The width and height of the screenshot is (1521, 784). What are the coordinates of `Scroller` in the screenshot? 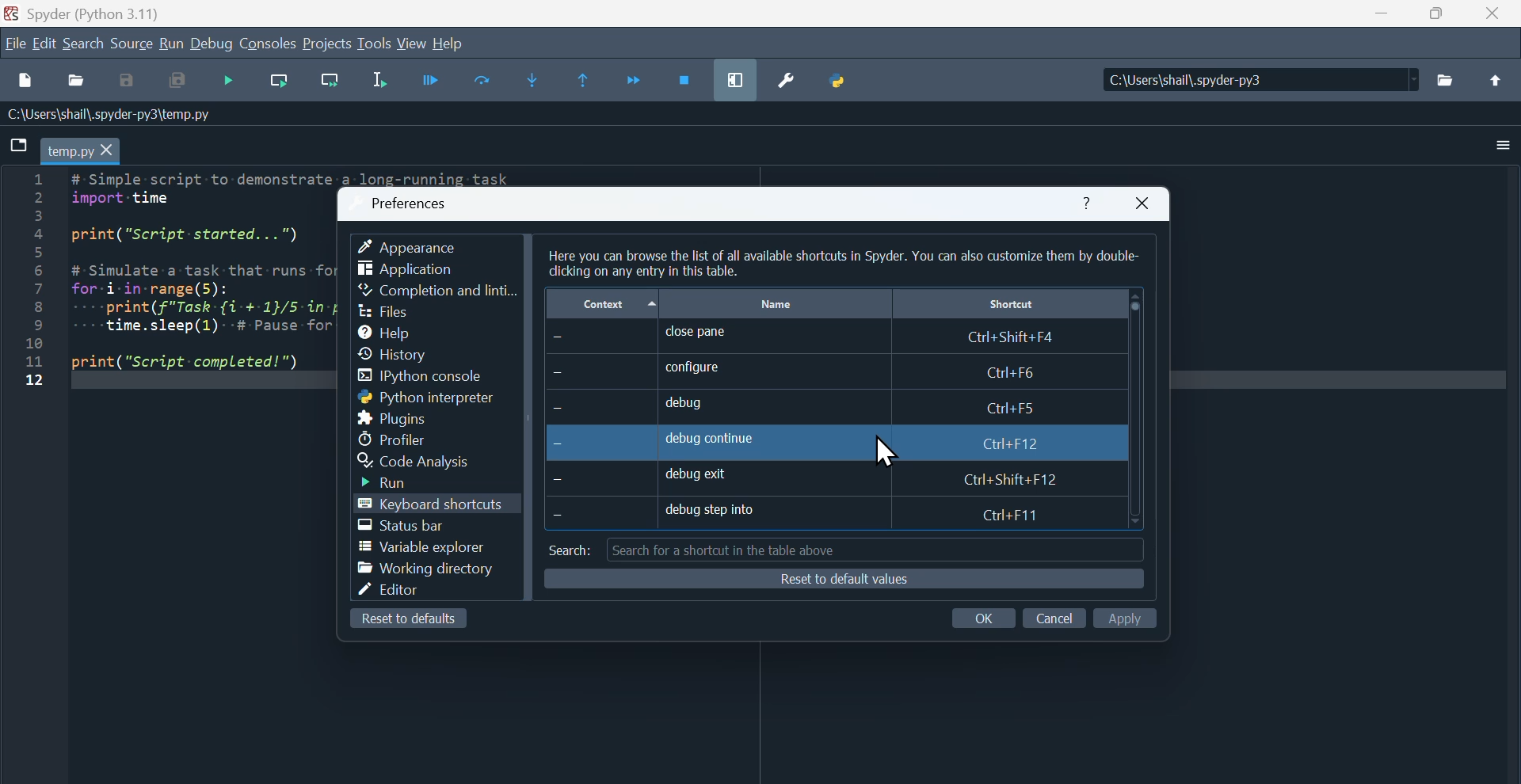 It's located at (1136, 409).